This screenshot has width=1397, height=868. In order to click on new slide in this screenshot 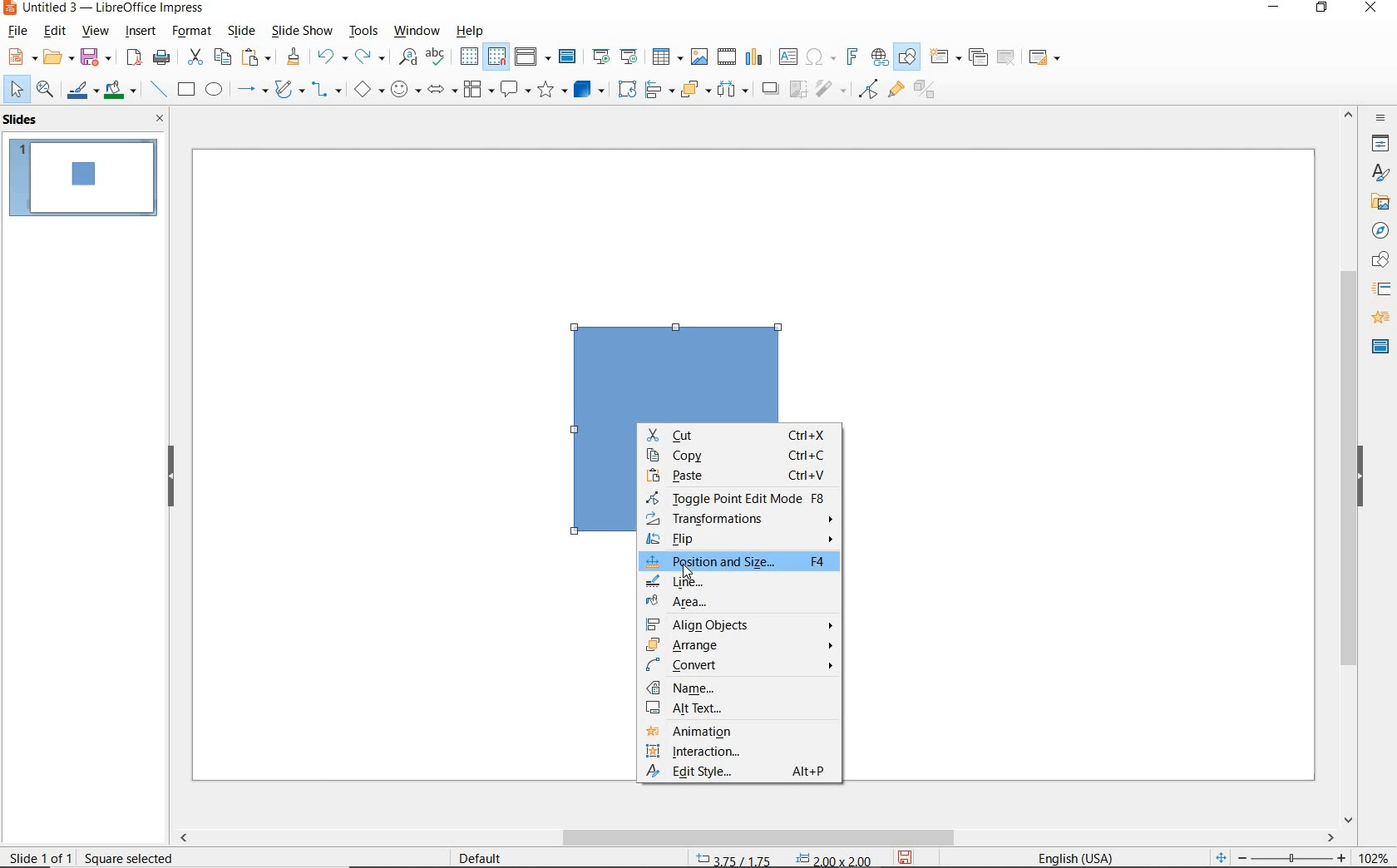, I will do `click(945, 60)`.